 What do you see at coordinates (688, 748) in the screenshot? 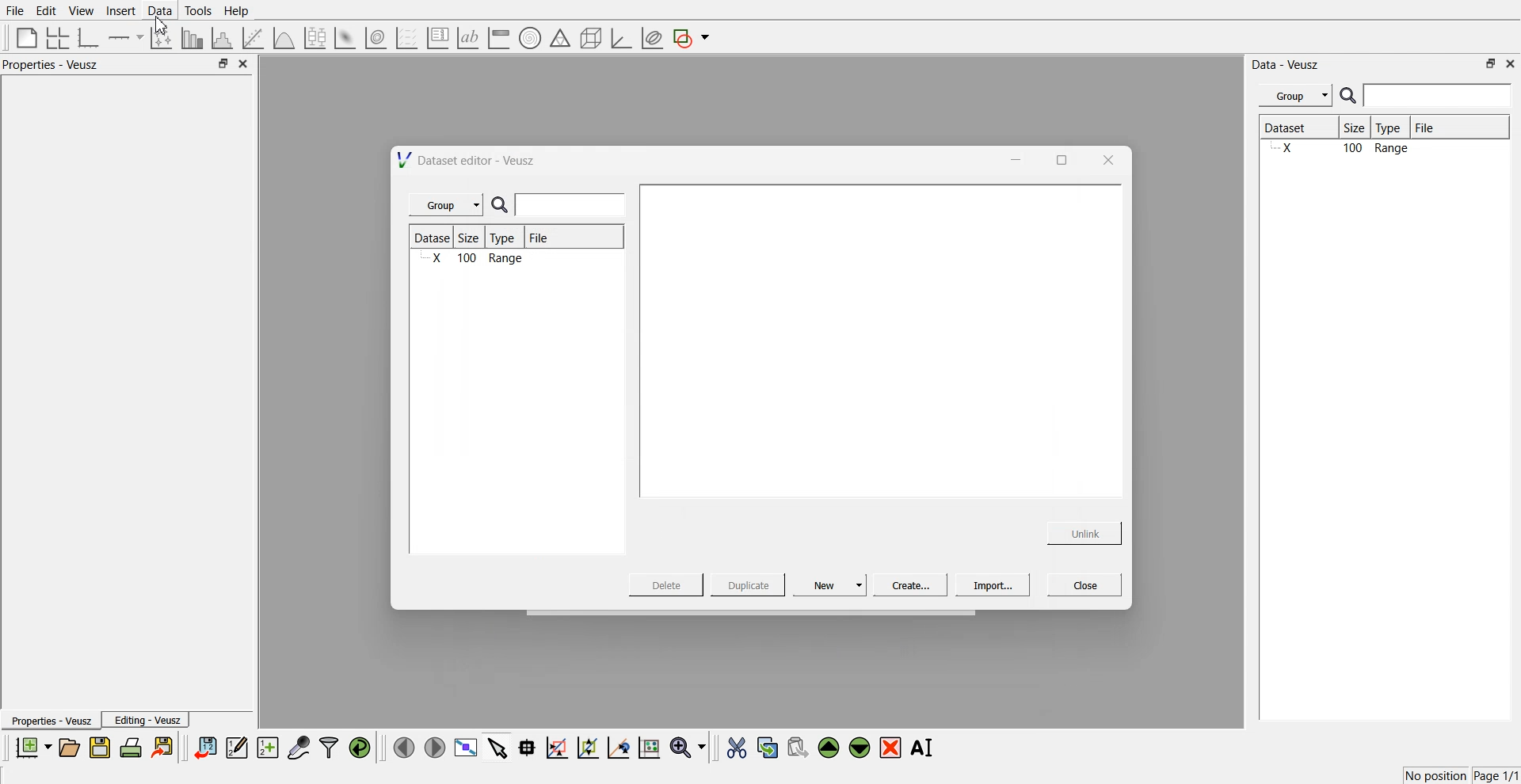
I see `zoom funtions` at bounding box center [688, 748].